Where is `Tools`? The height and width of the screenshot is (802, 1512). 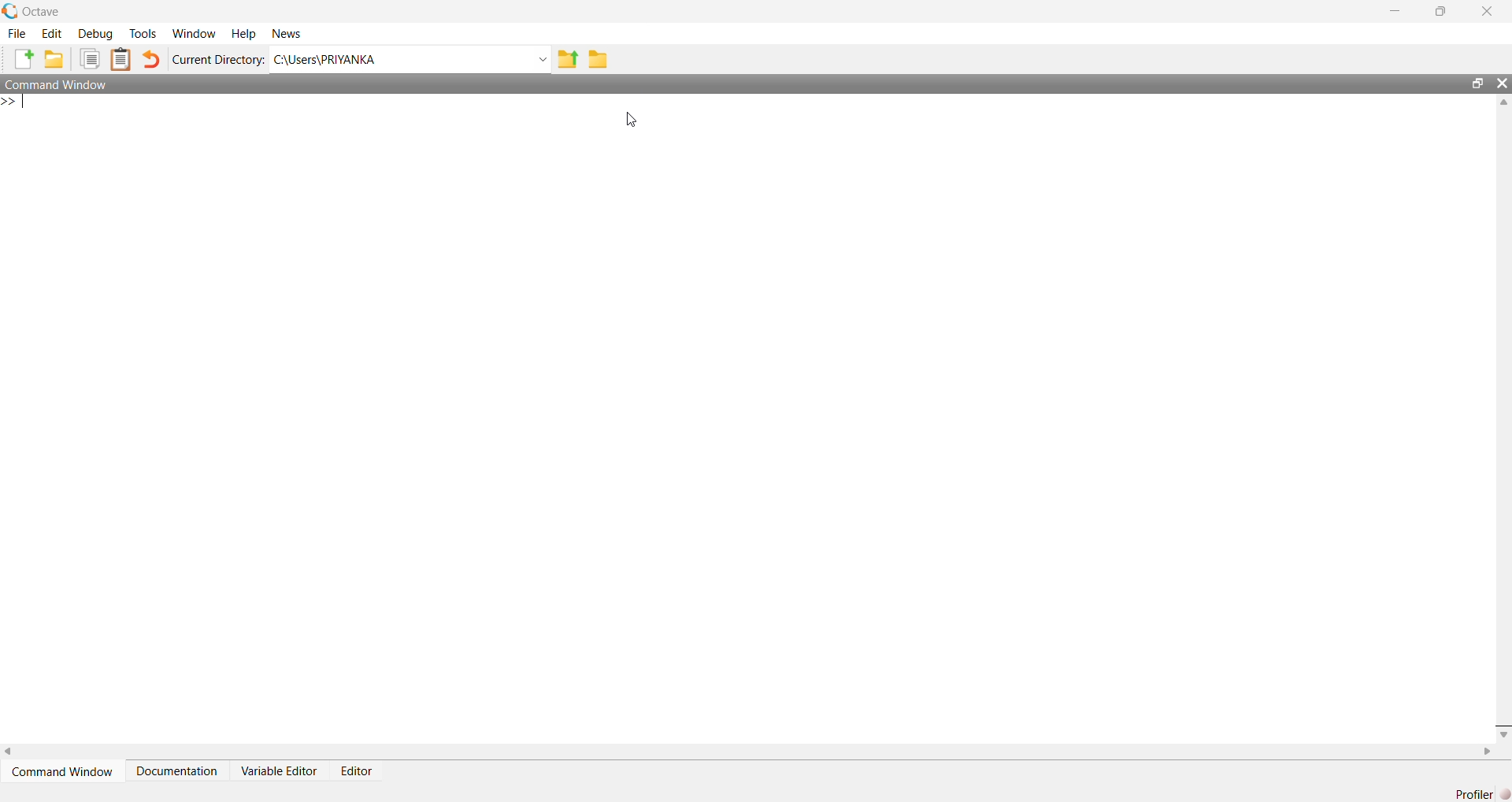 Tools is located at coordinates (146, 35).